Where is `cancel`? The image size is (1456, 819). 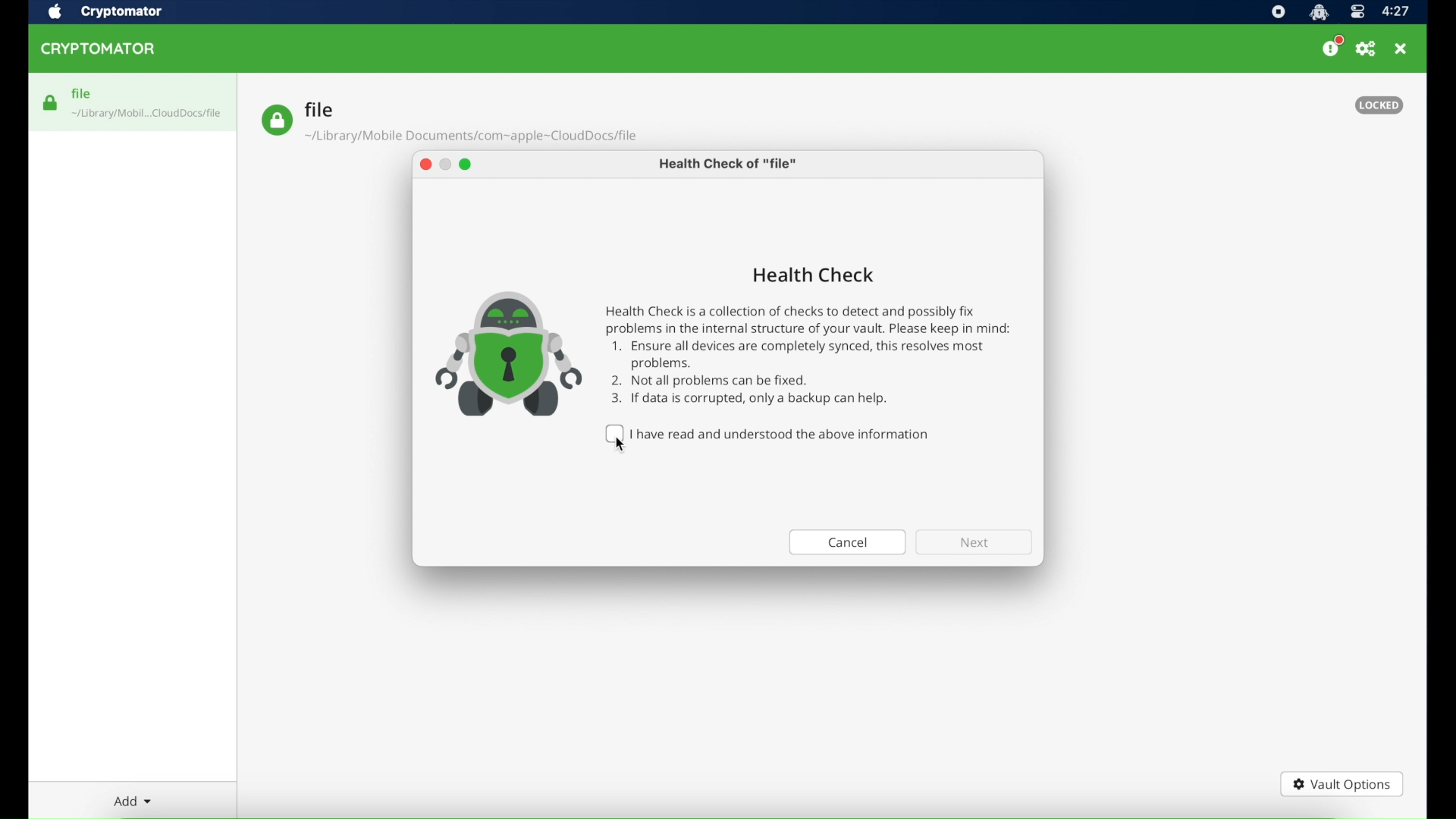
cancel is located at coordinates (847, 542).